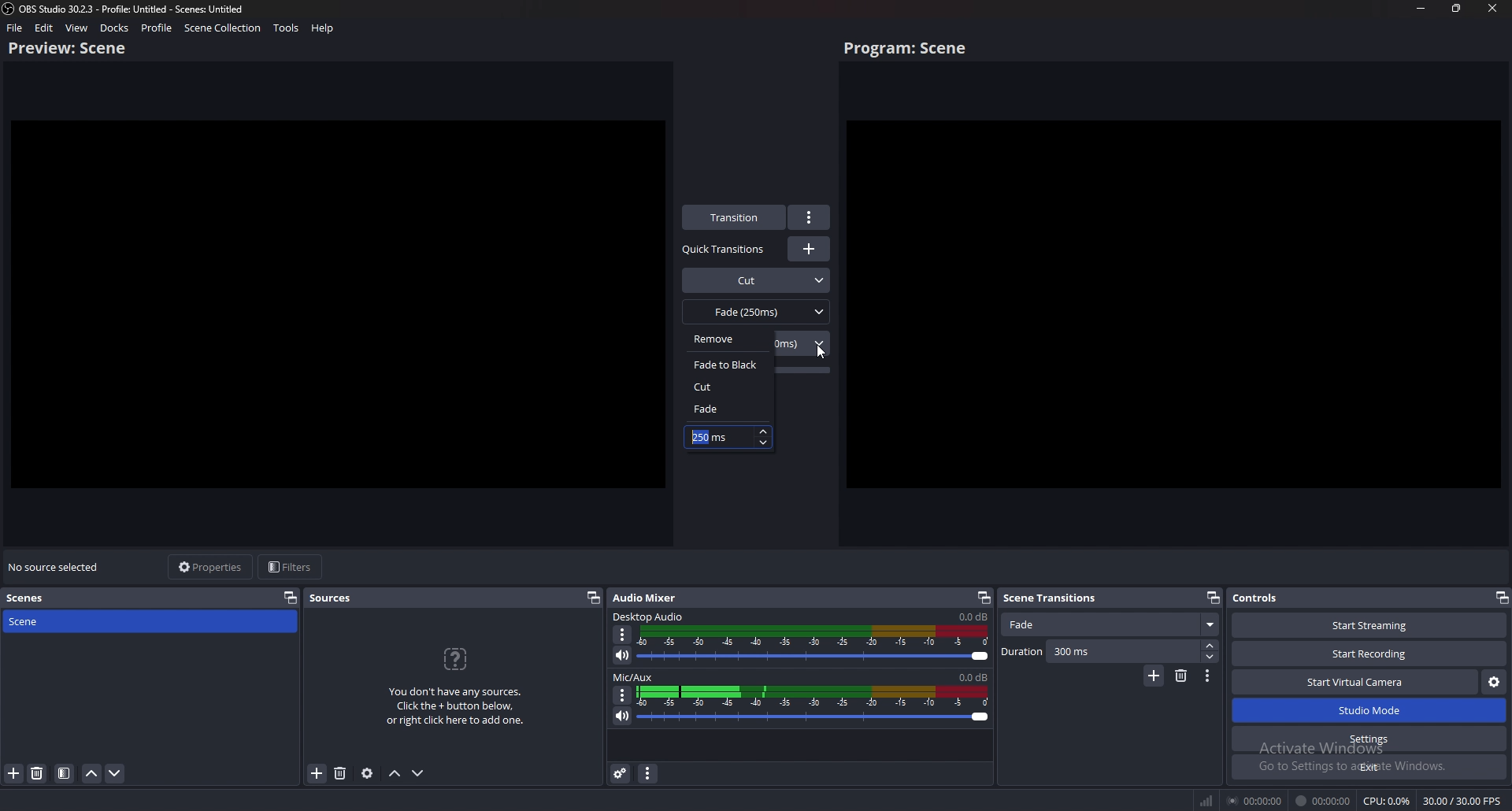 Image resolution: width=1512 pixels, height=811 pixels. I want to click on scene, so click(69, 621).